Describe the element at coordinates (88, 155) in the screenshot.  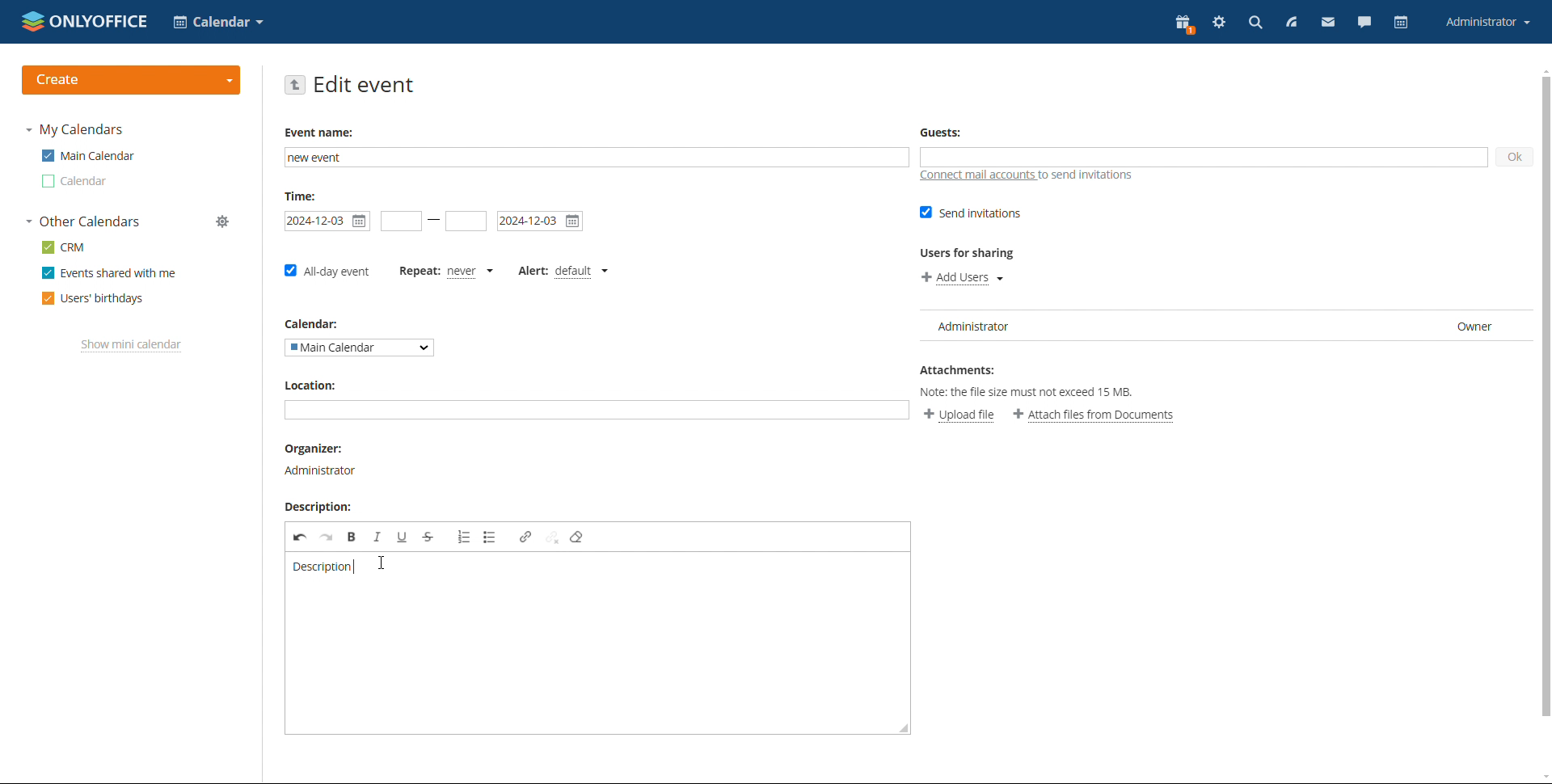
I see `main calendar` at that location.